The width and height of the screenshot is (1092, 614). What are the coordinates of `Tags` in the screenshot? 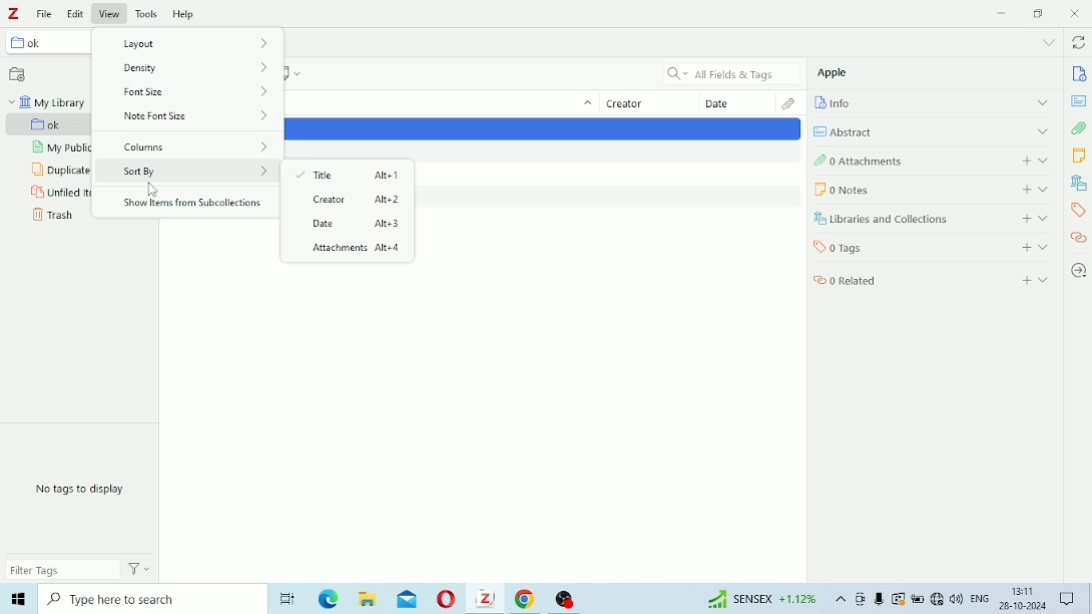 It's located at (881, 248).